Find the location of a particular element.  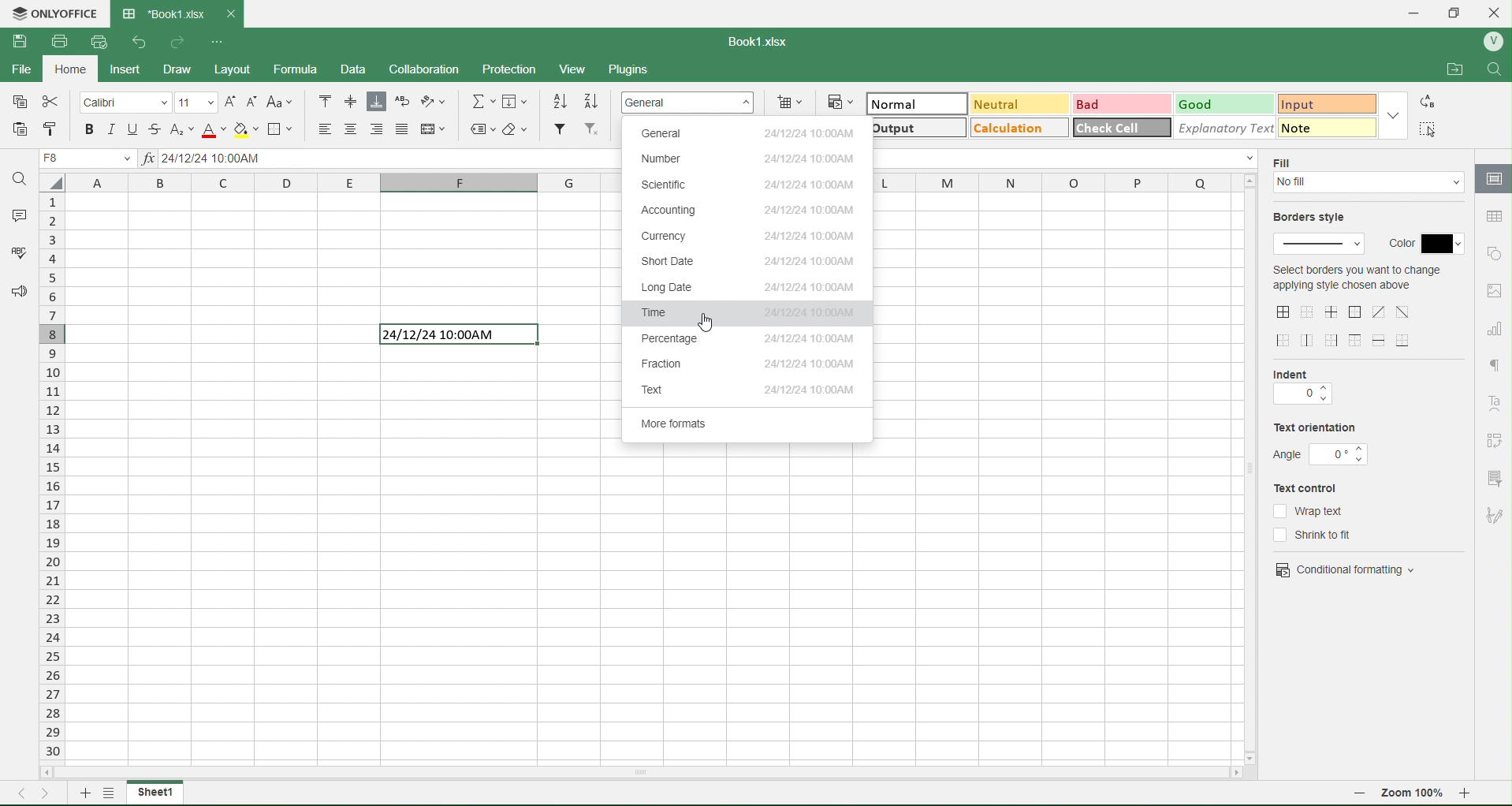

Align Top is located at coordinates (326, 100).